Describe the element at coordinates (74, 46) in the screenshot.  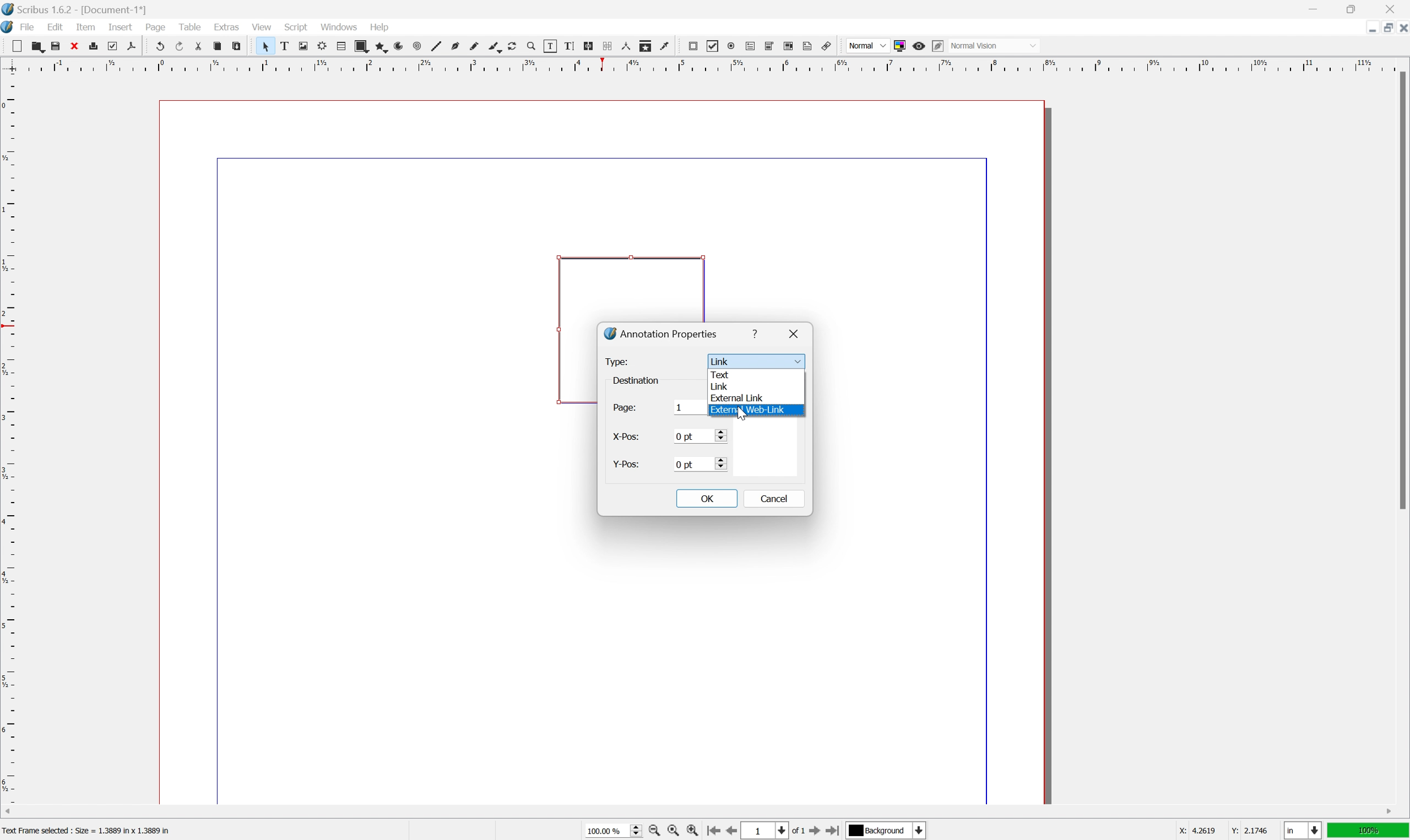
I see `close` at that location.